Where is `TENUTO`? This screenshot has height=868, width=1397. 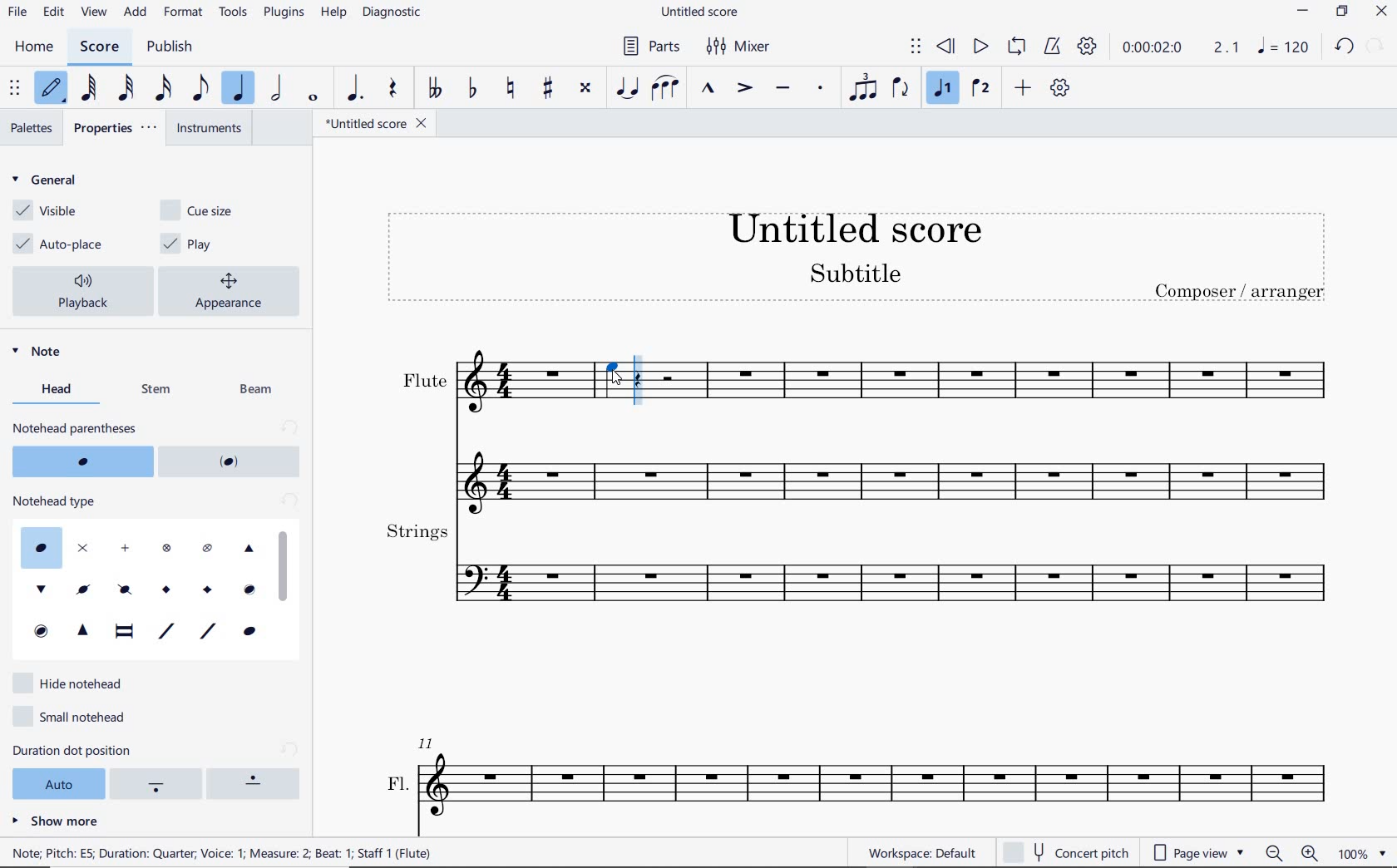
TENUTO is located at coordinates (783, 86).